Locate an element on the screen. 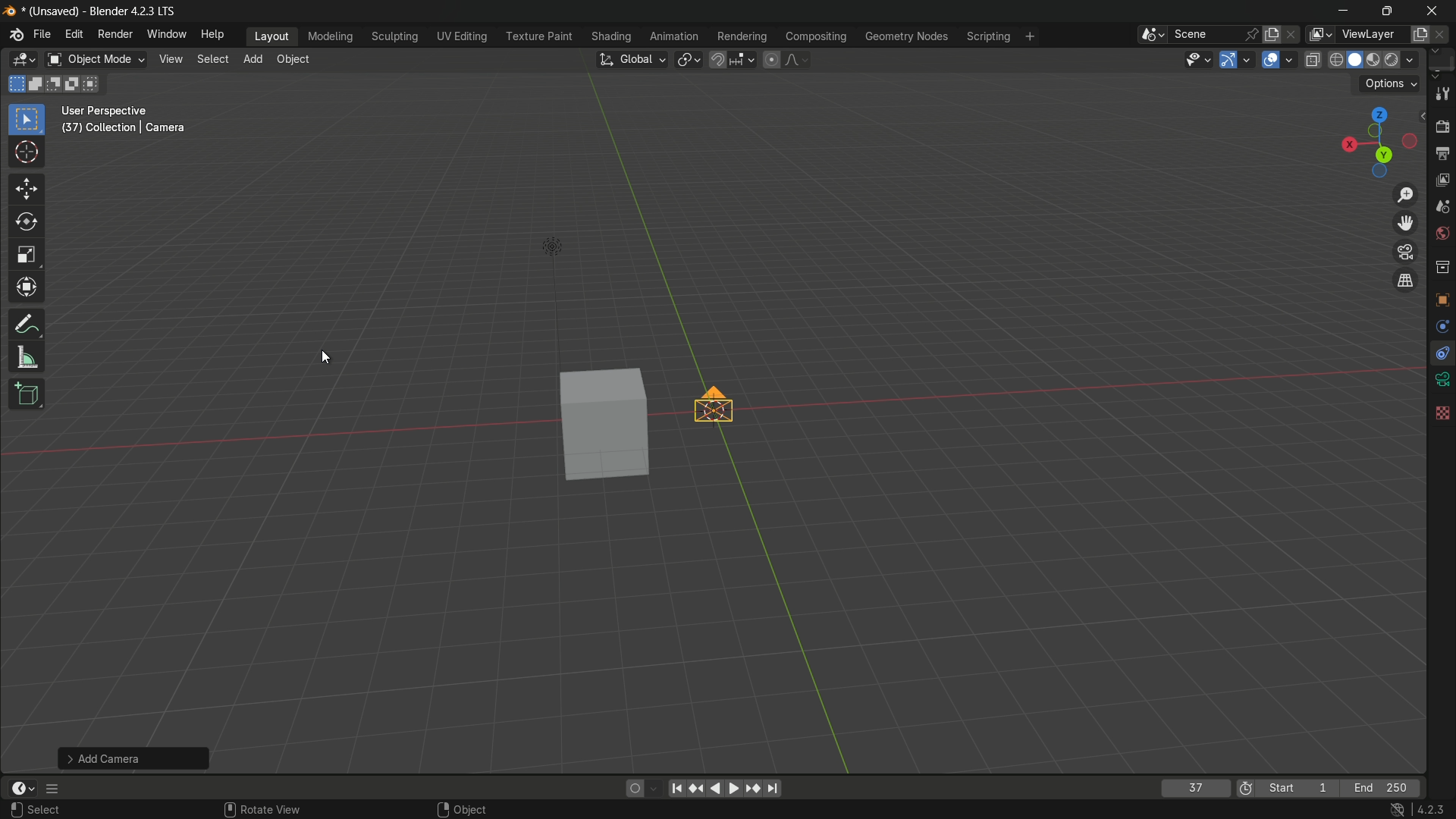  remove view layer is located at coordinates (1444, 36).